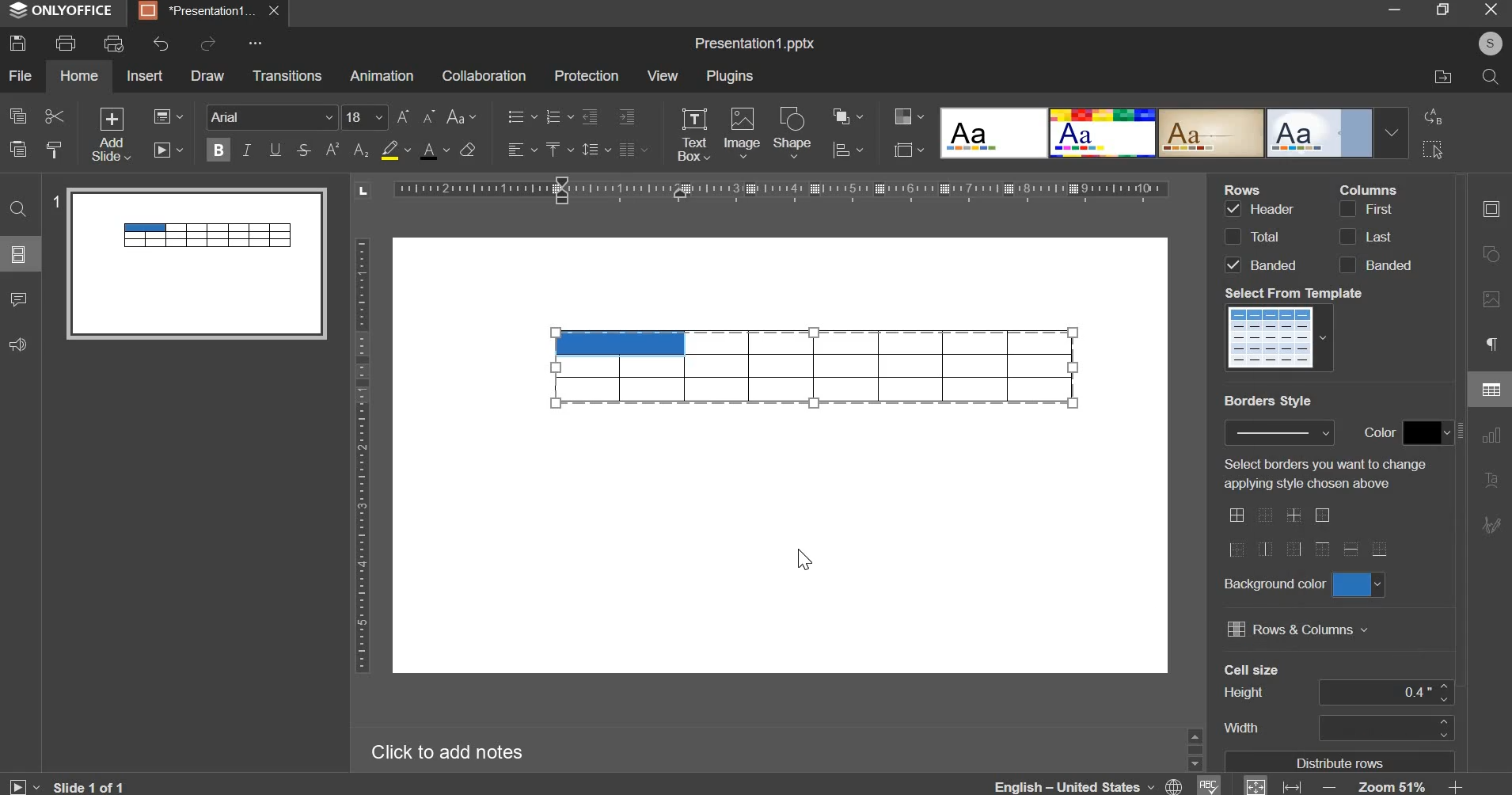  I want to click on rows, so click(1259, 236).